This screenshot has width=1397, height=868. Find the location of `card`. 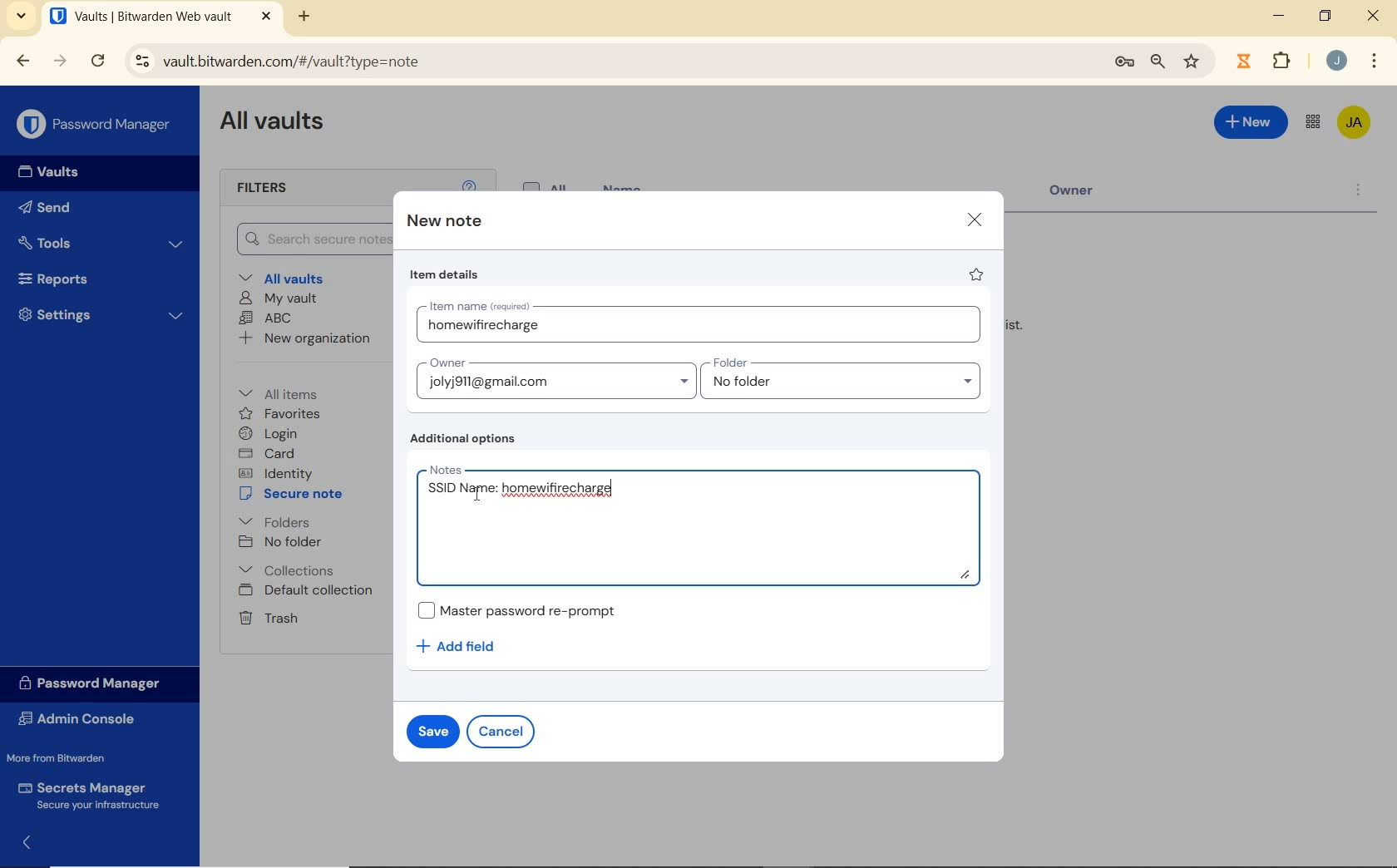

card is located at coordinates (269, 453).